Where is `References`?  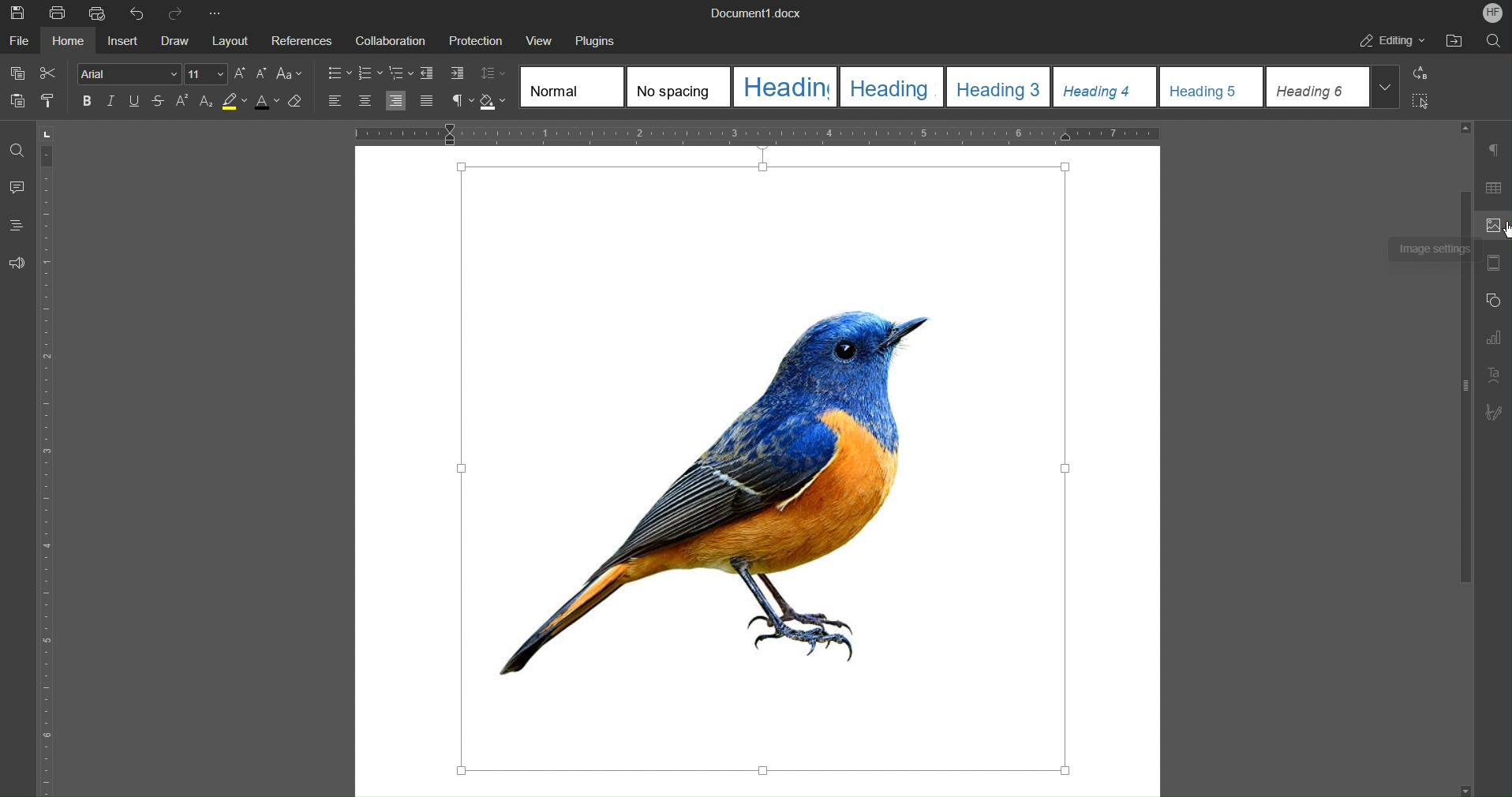
References is located at coordinates (300, 38).